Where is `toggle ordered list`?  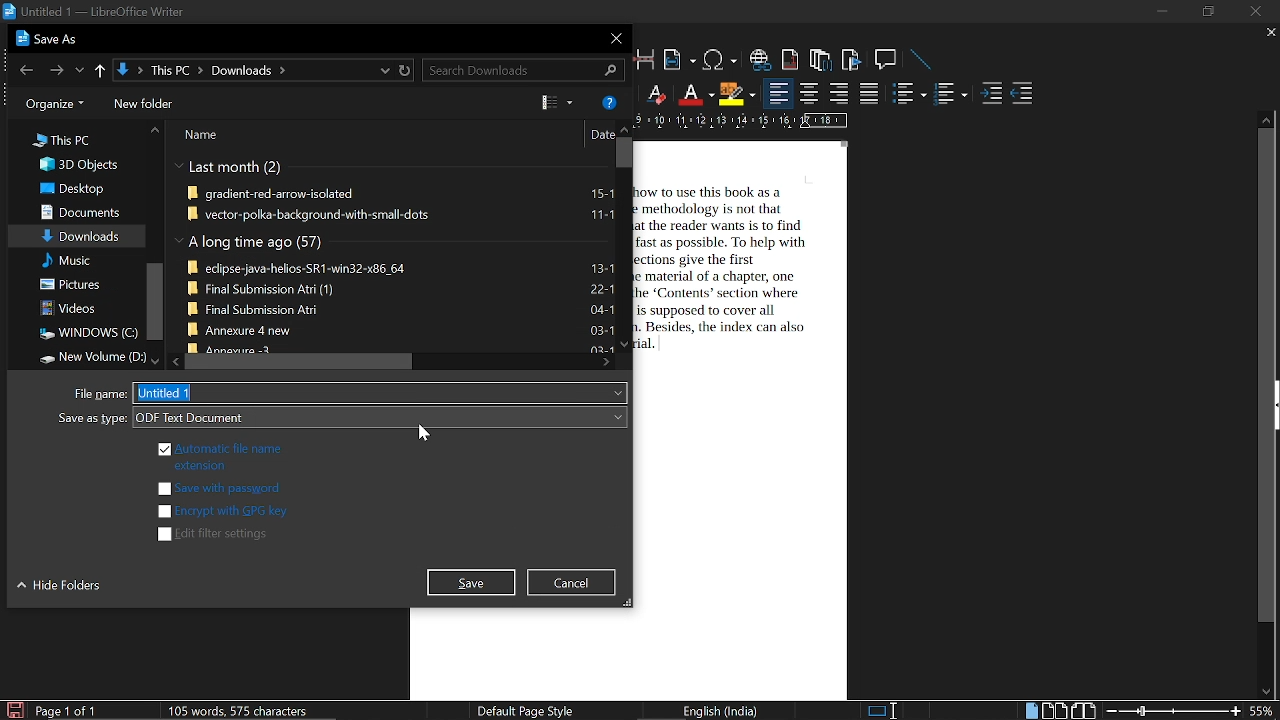
toggle ordered list is located at coordinates (910, 92).